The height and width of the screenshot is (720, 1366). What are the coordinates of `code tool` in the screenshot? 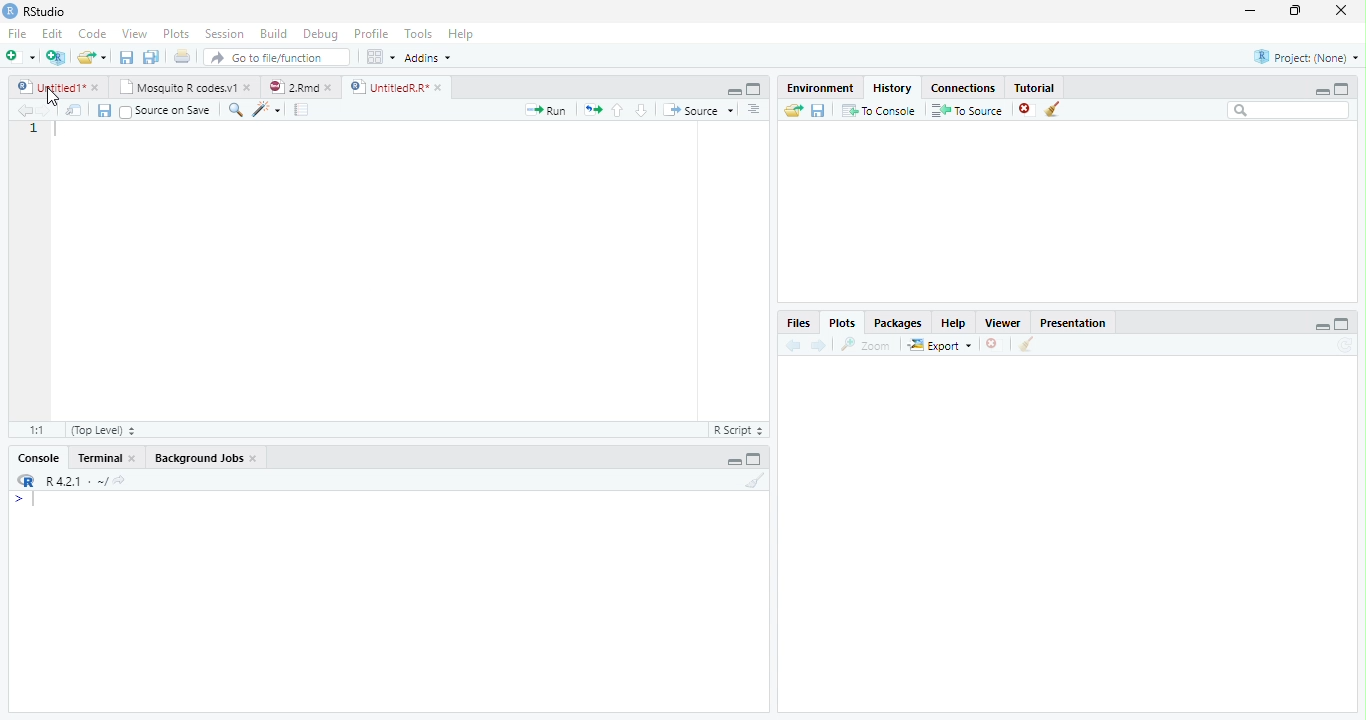 It's located at (266, 111).